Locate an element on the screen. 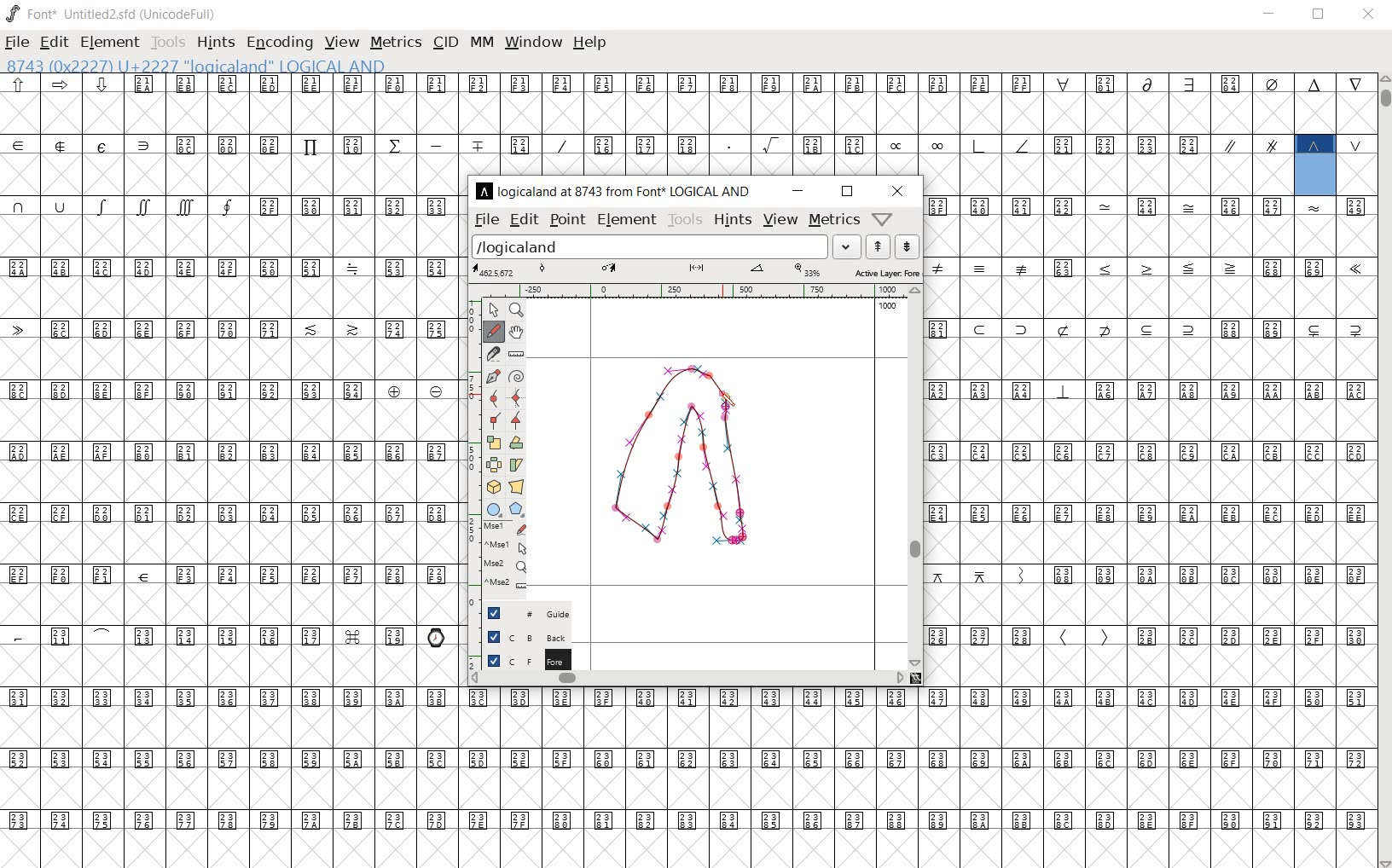 The width and height of the screenshot is (1392, 868). add a curve point always either horizontal or vertical is located at coordinates (517, 396).